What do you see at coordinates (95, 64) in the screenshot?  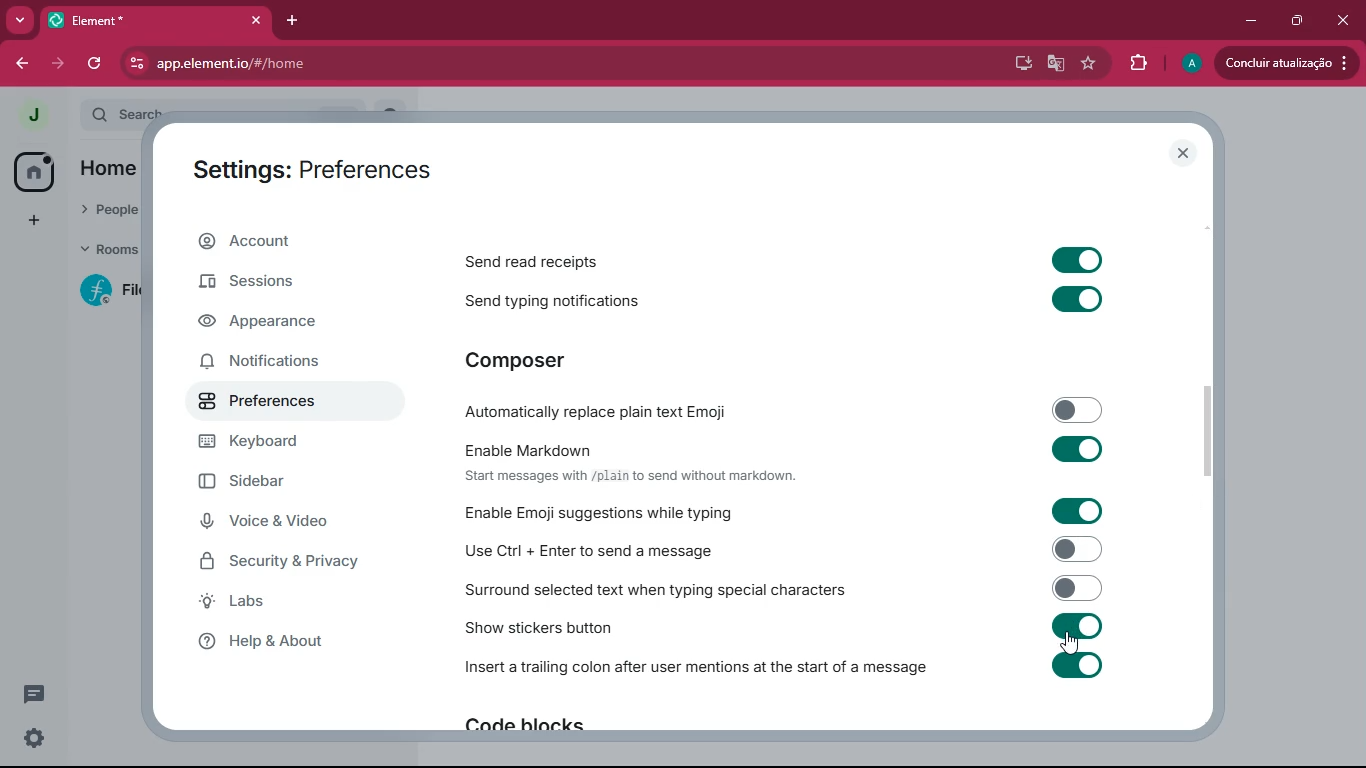 I see `refresh` at bounding box center [95, 64].